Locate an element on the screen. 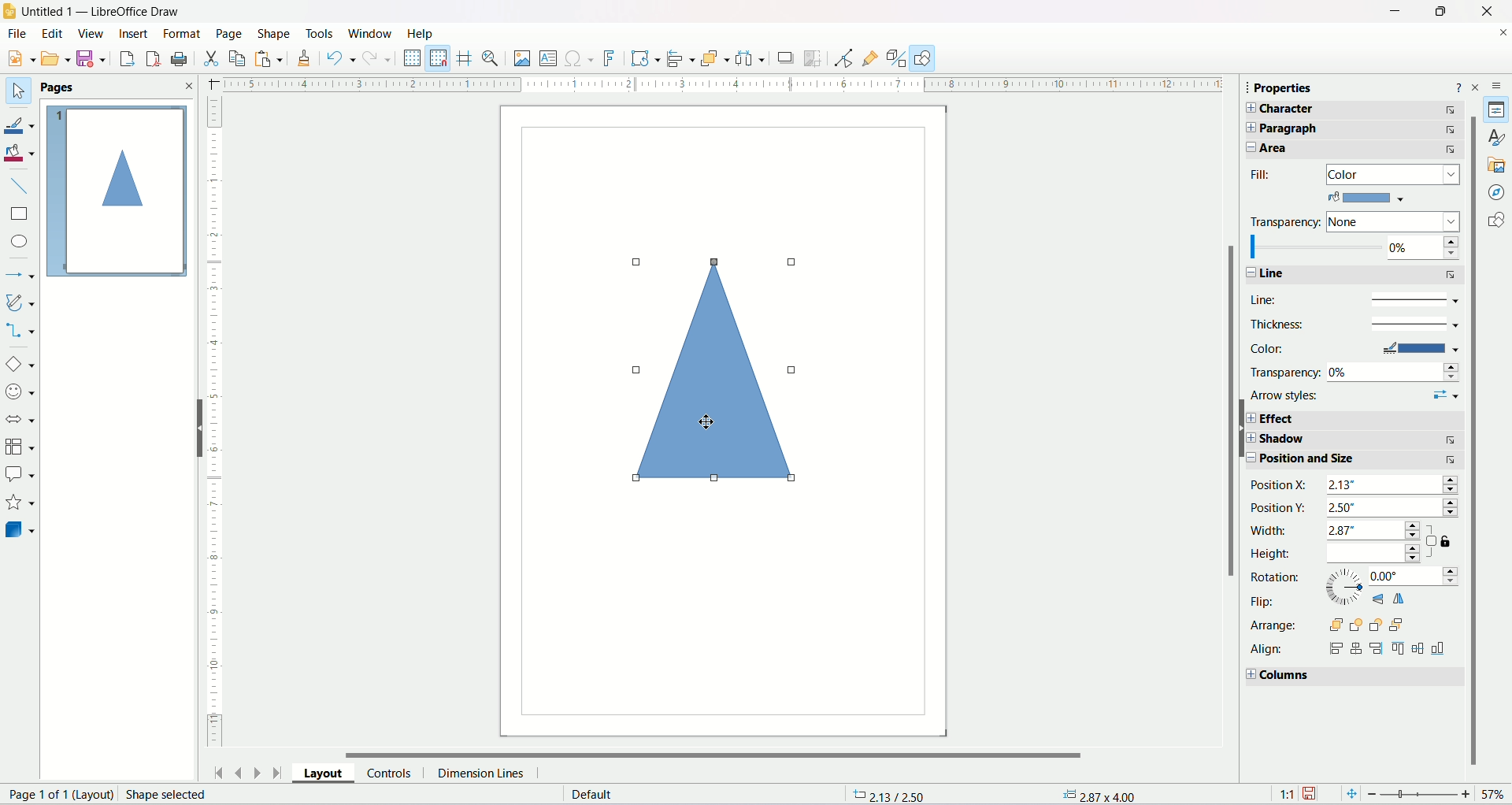 This screenshot has width=1512, height=805. Helpines while moving is located at coordinates (465, 59).